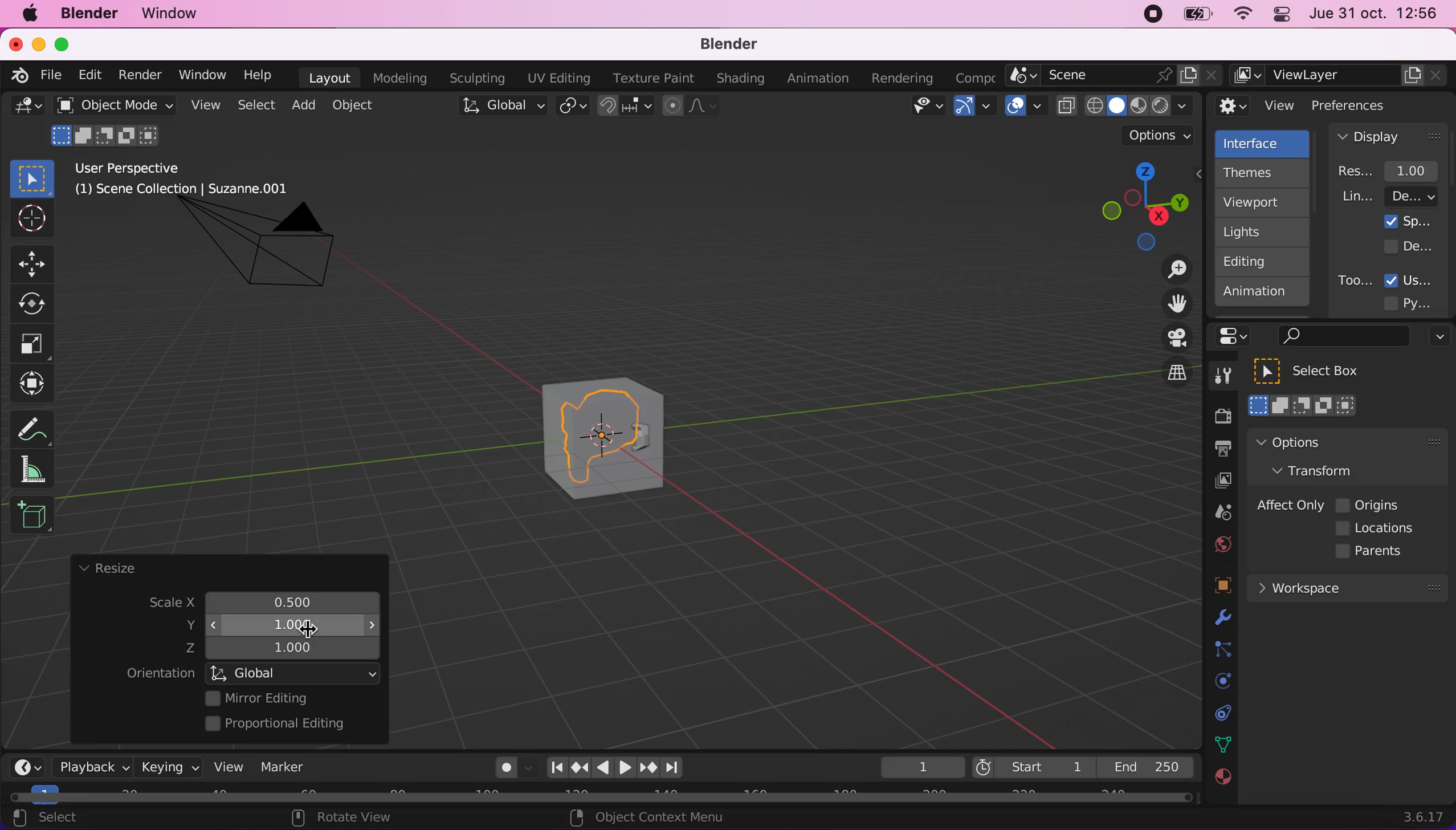  I want to click on lights, so click(1265, 233).